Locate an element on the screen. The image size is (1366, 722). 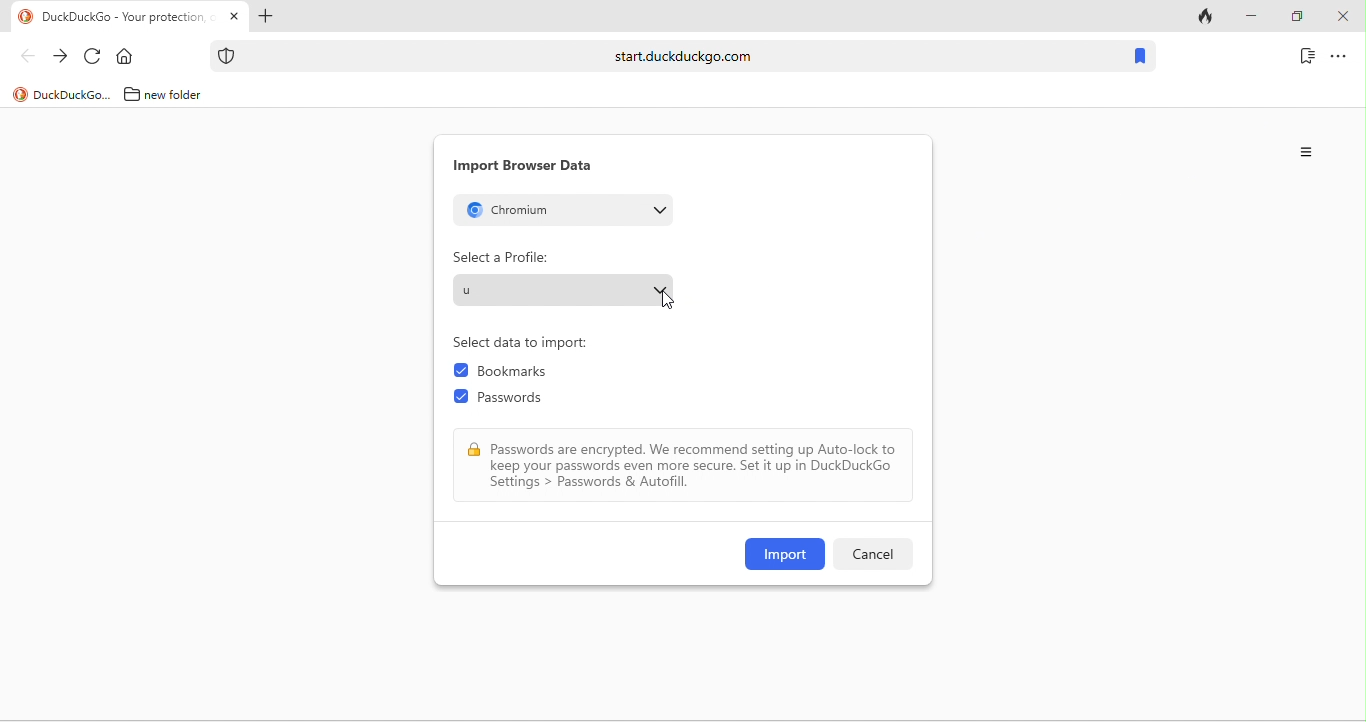
select a profile is located at coordinates (501, 257).